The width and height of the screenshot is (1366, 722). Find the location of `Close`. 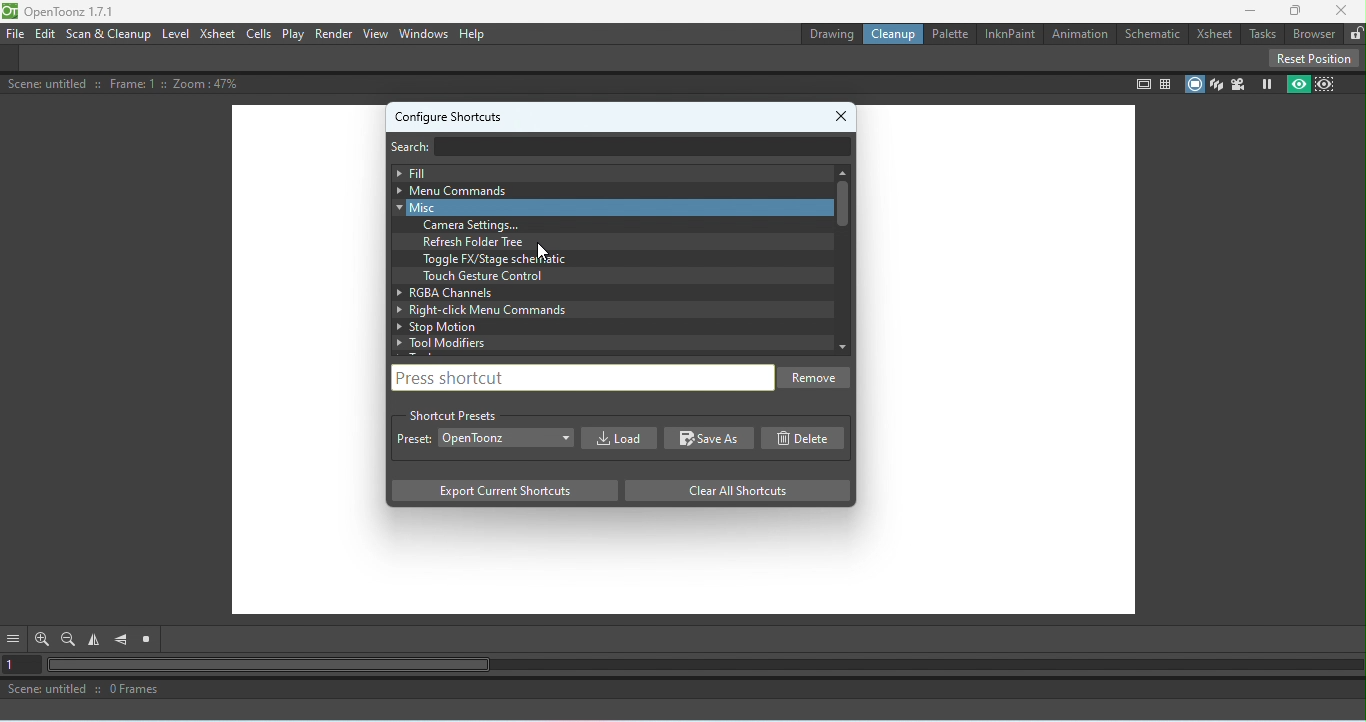

Close is located at coordinates (844, 112).